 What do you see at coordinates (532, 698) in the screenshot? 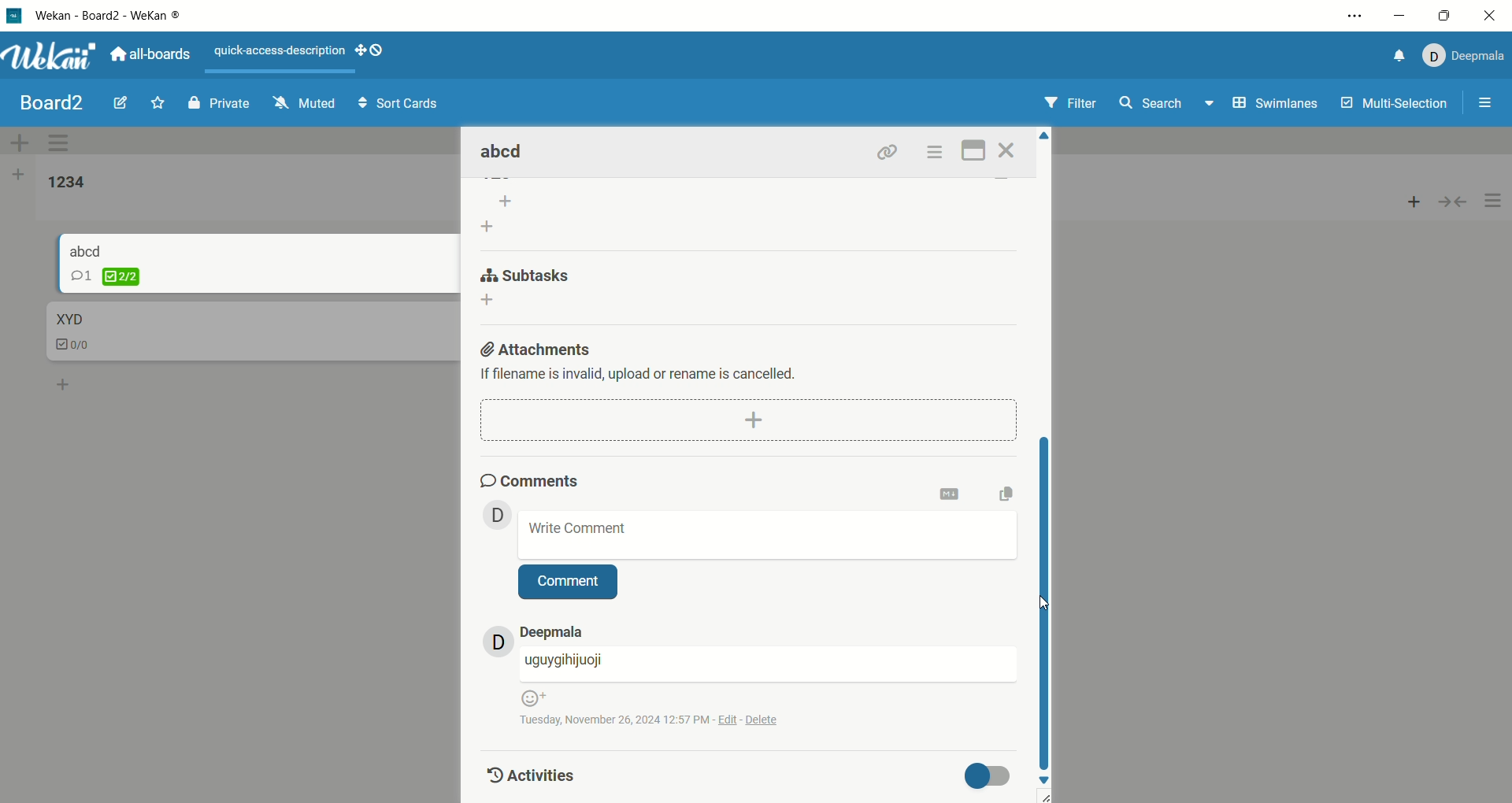
I see `emoji` at bounding box center [532, 698].